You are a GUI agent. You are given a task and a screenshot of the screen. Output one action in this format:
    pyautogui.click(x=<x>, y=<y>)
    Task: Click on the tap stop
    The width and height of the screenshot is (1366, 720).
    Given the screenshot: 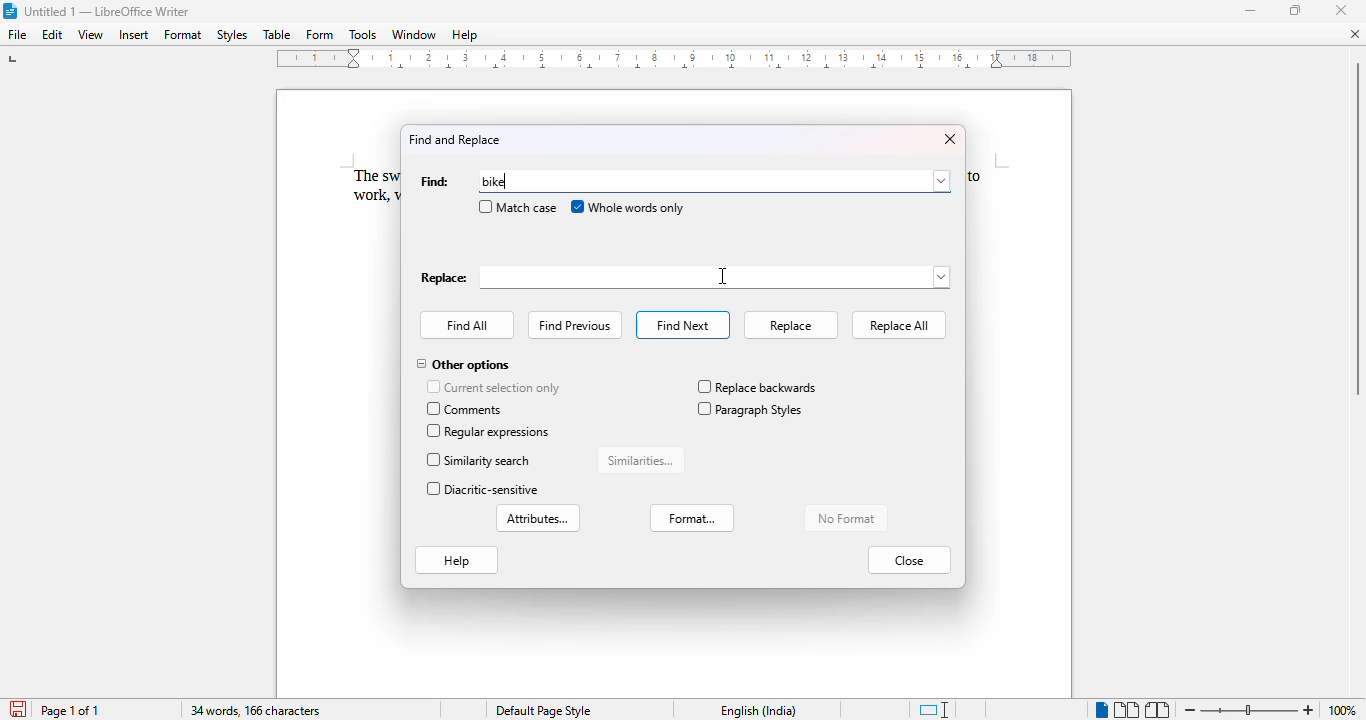 What is the action you would take?
    pyautogui.click(x=14, y=62)
    